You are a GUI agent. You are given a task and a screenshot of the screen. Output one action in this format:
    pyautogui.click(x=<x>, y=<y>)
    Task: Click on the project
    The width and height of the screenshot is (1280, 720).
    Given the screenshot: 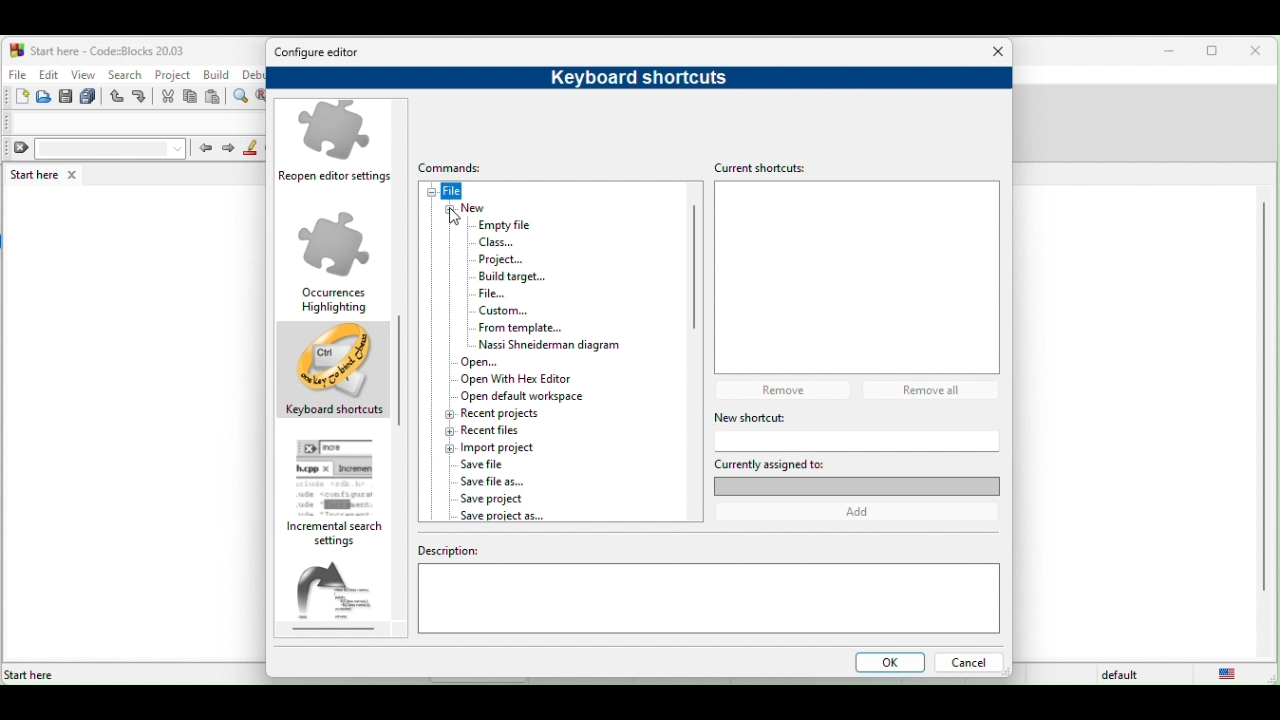 What is the action you would take?
    pyautogui.click(x=173, y=73)
    